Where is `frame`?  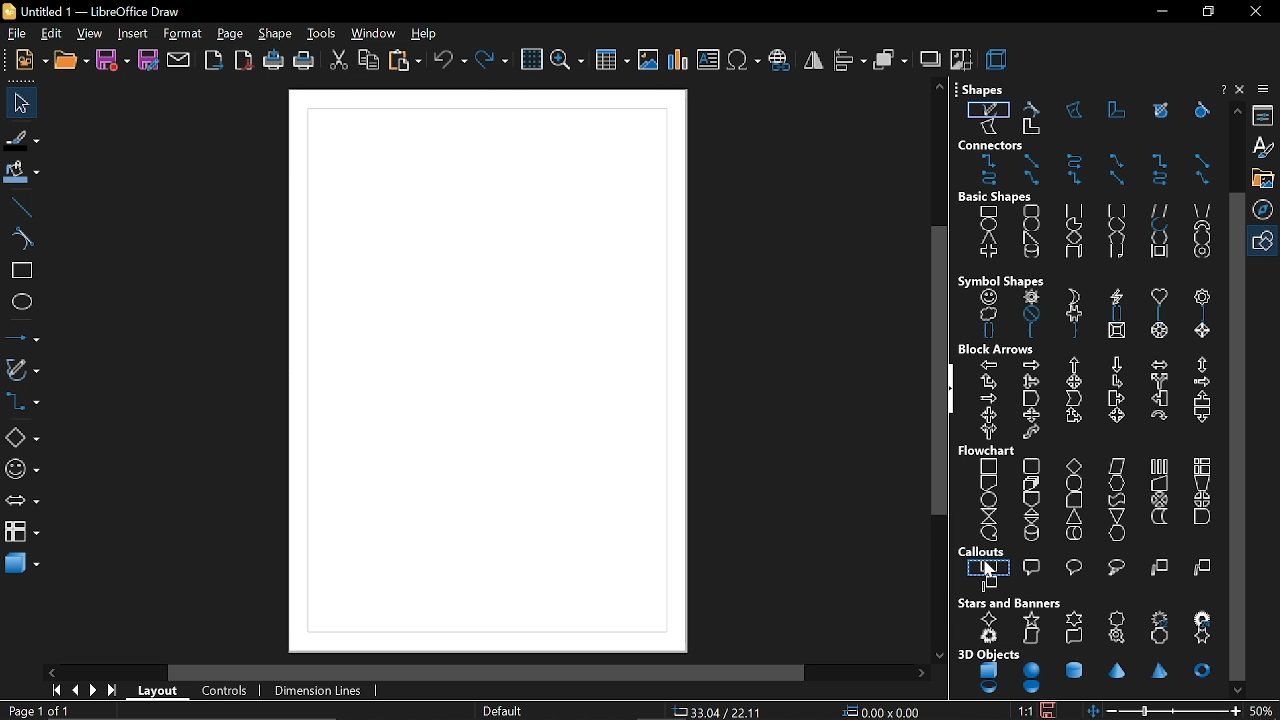 frame is located at coordinates (1156, 255).